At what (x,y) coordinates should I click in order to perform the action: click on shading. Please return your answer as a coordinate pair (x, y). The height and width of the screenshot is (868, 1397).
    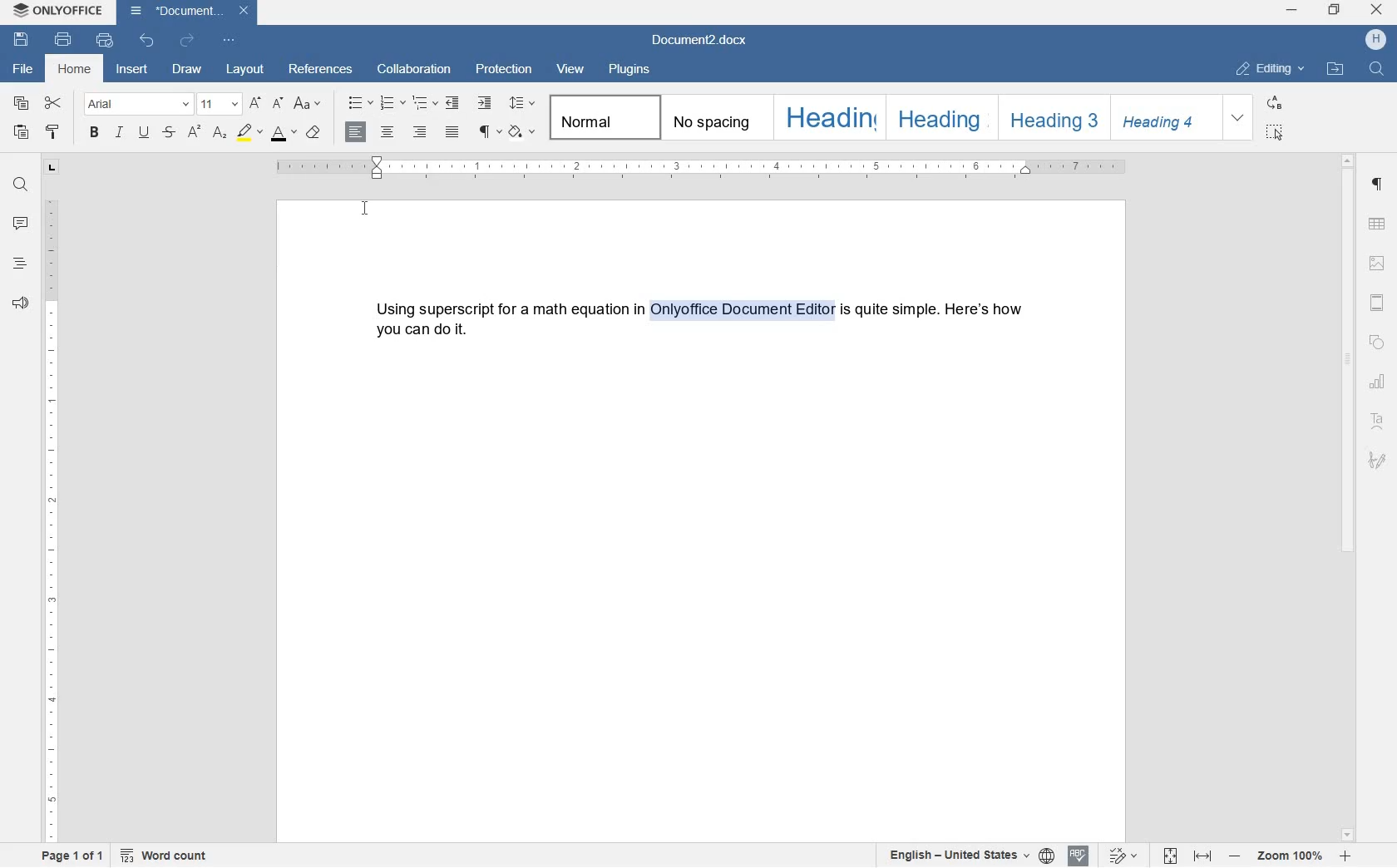
    Looking at the image, I should click on (521, 133).